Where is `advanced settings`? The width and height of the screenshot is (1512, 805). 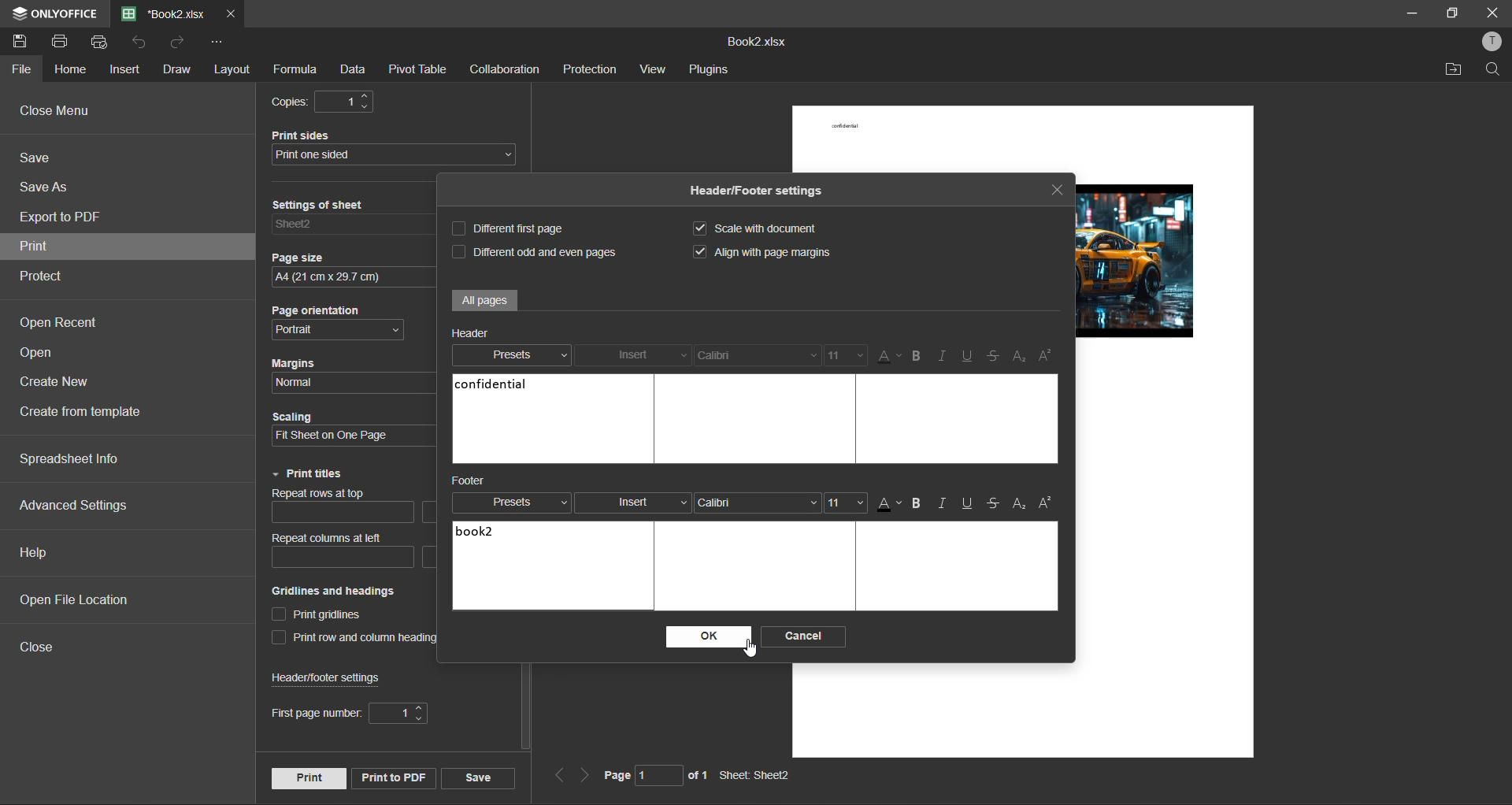 advanced settings is located at coordinates (80, 507).